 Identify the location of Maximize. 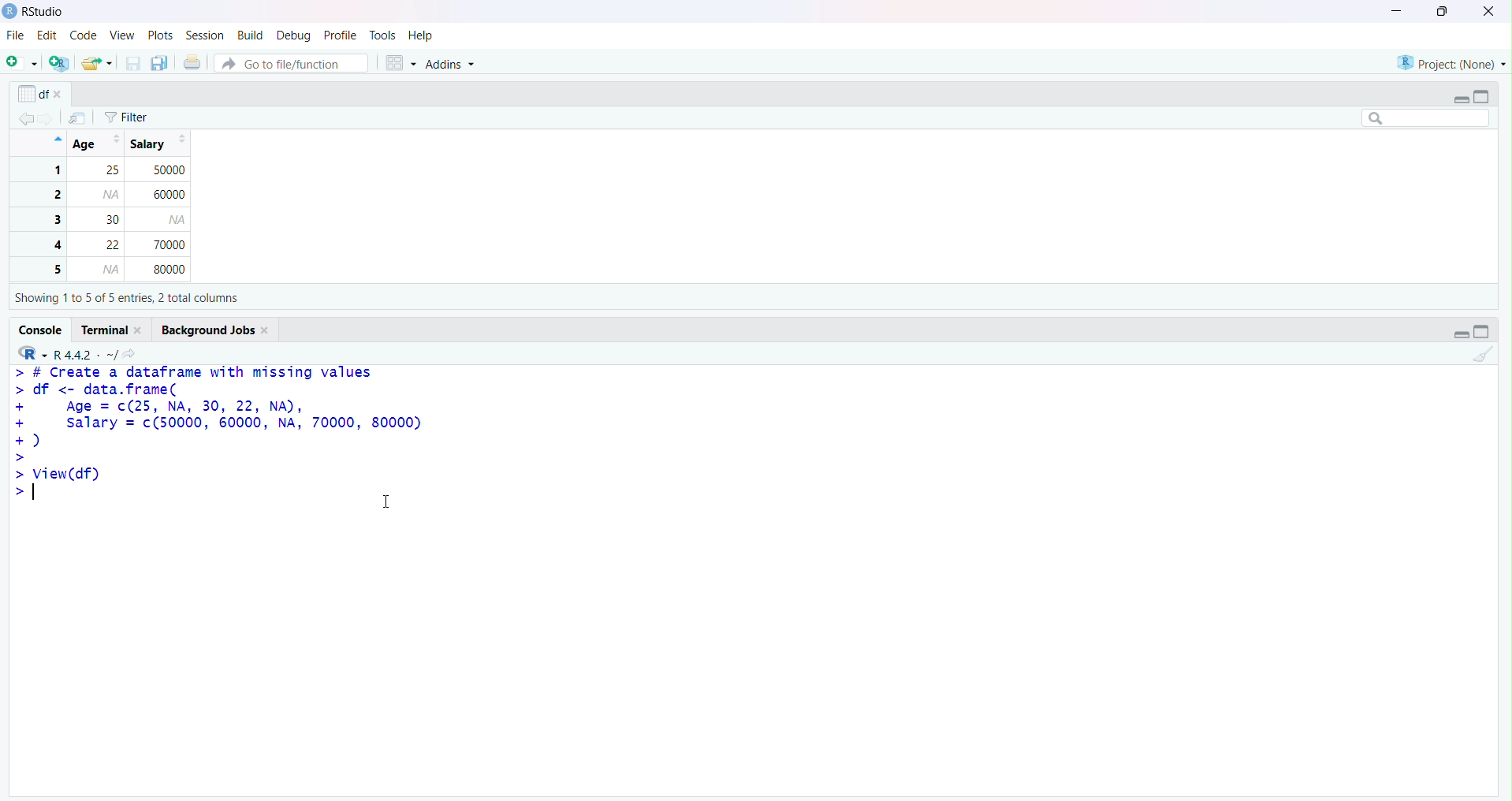
(1487, 97).